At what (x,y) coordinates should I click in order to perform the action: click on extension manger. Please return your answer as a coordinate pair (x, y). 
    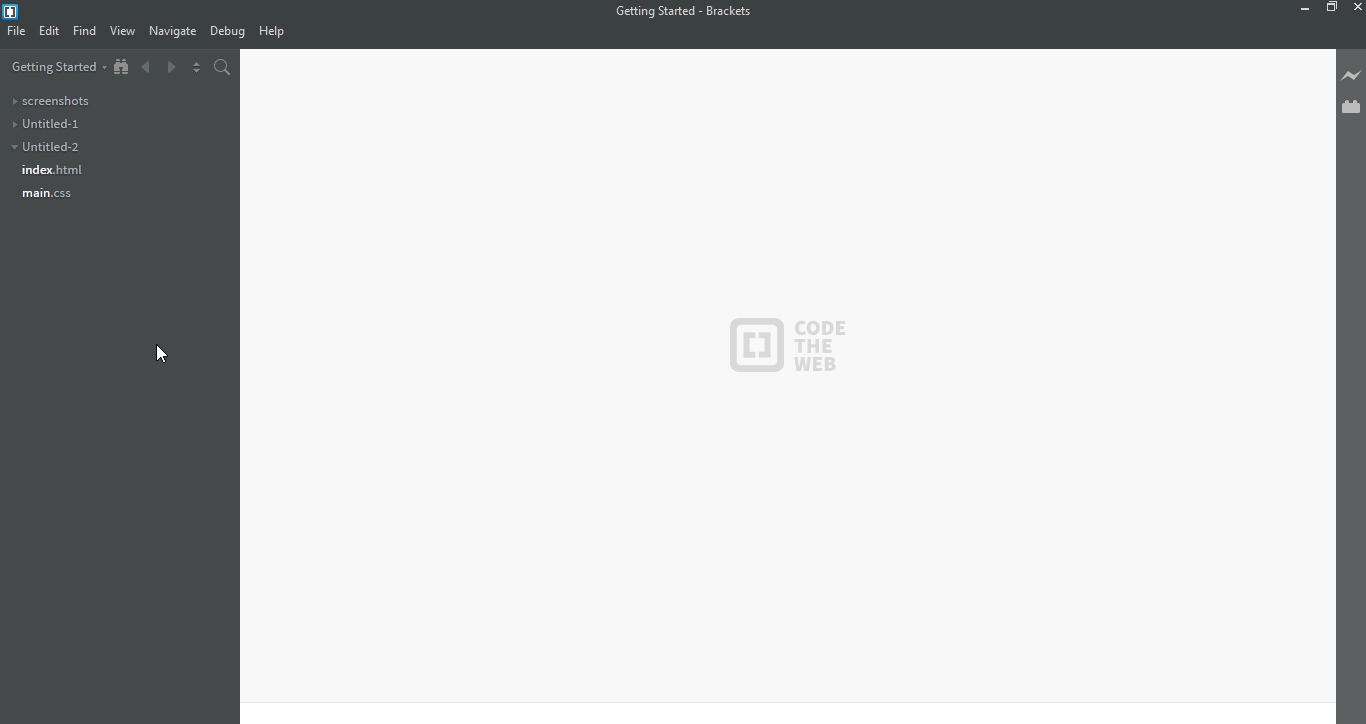
    Looking at the image, I should click on (1350, 108).